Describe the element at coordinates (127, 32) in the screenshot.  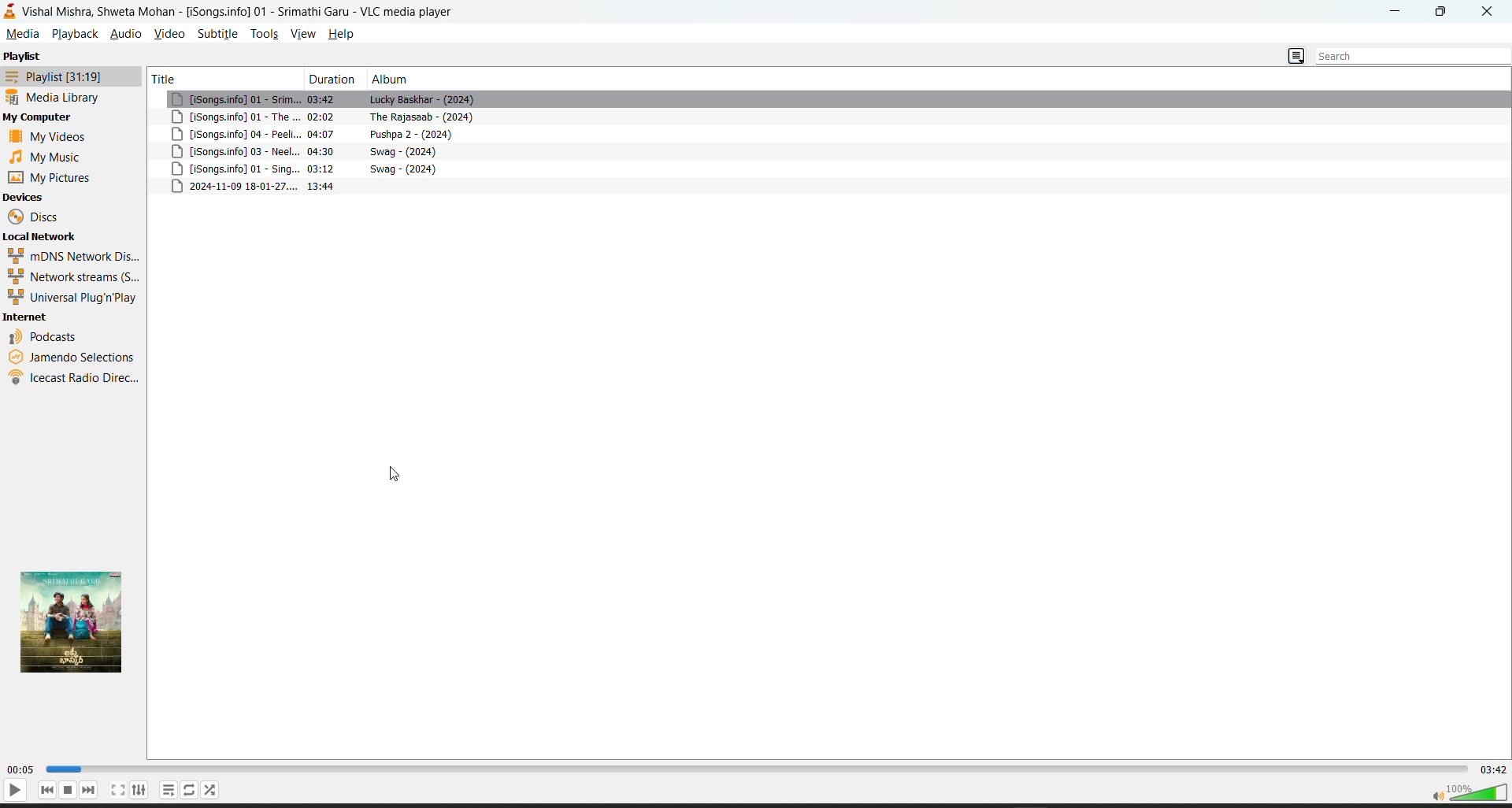
I see `audio` at that location.